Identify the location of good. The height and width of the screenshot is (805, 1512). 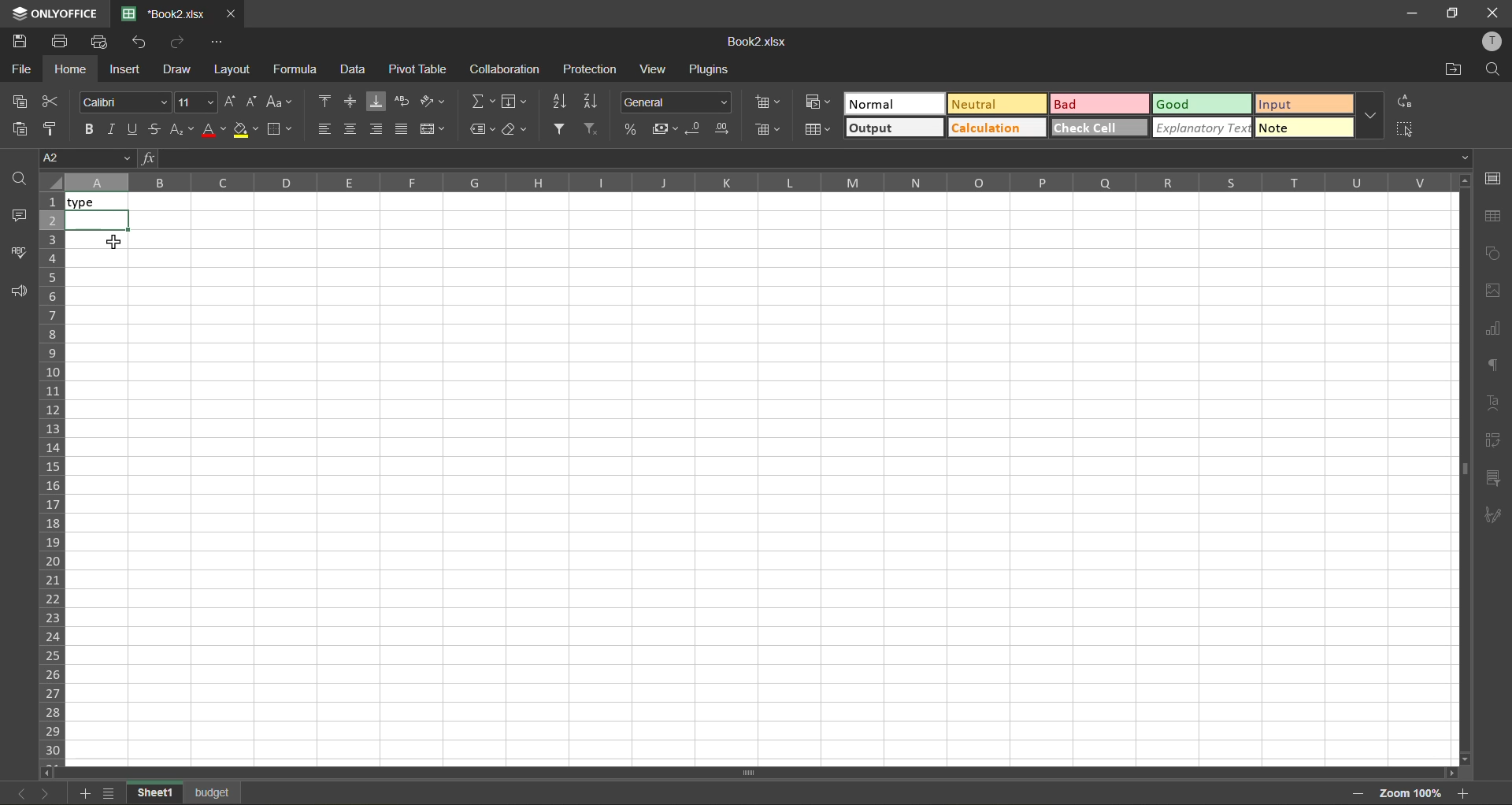
(1199, 103).